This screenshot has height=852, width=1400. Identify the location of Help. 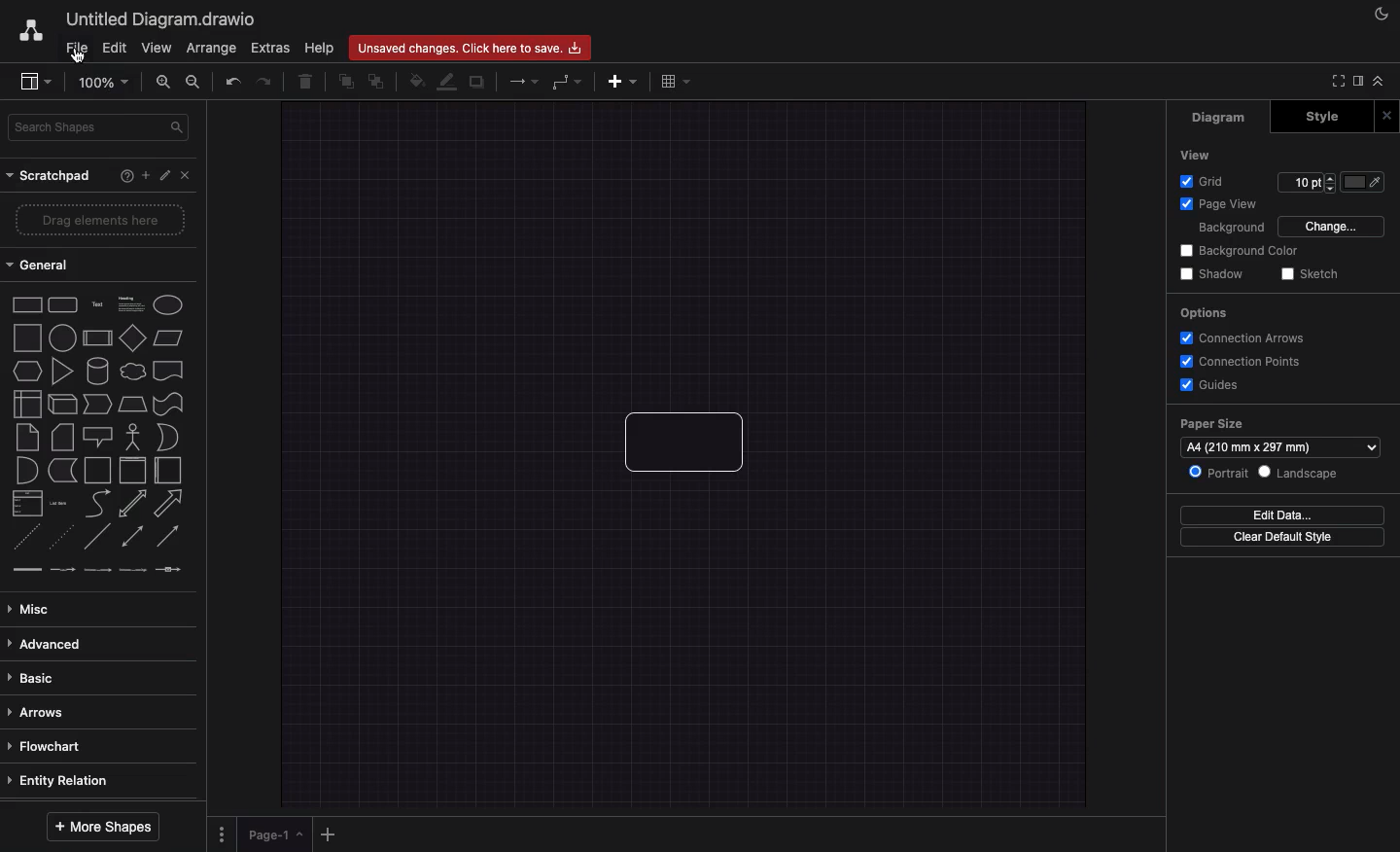
(122, 173).